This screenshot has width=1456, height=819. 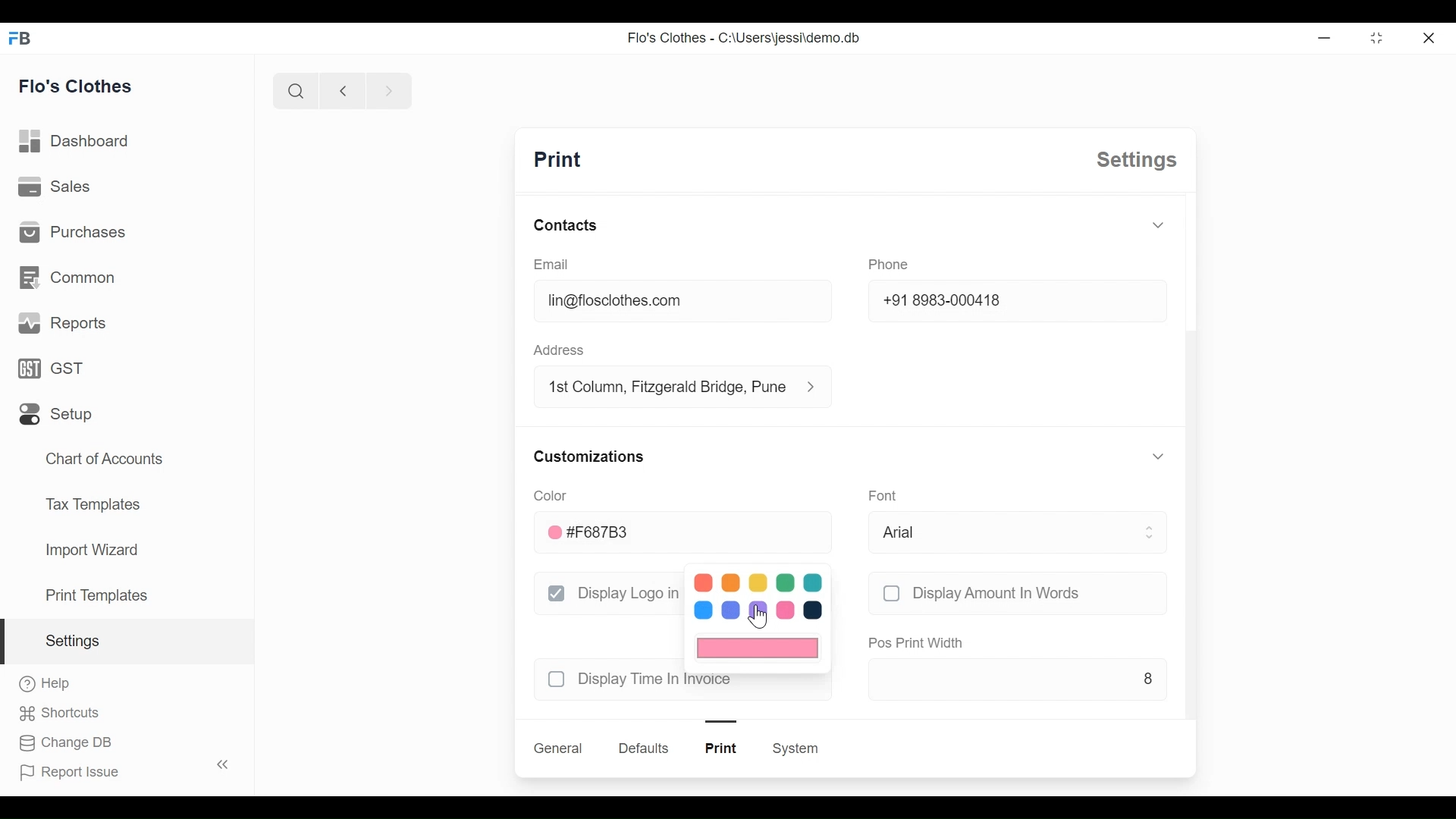 What do you see at coordinates (795, 748) in the screenshot?
I see `system` at bounding box center [795, 748].